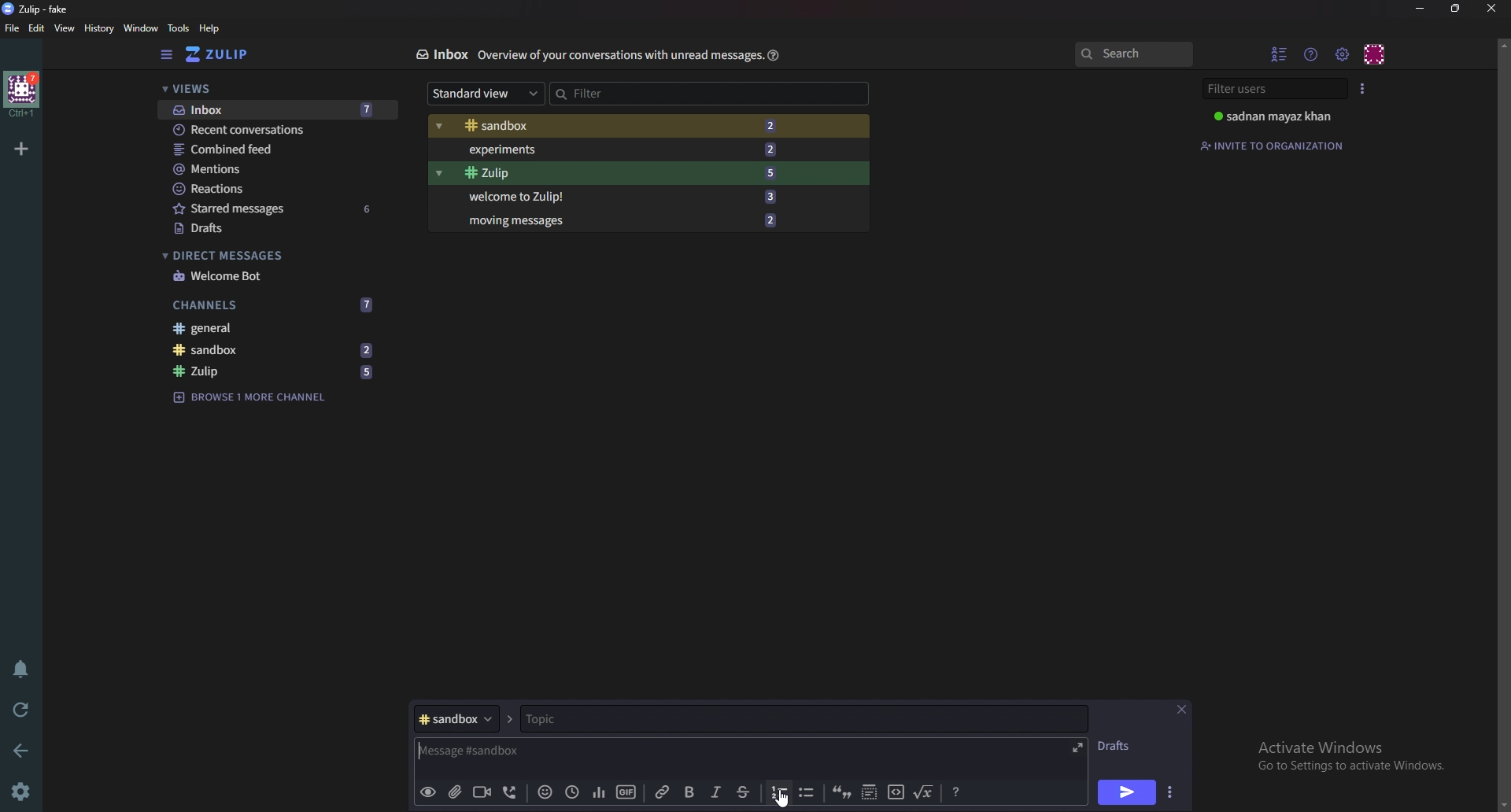 The height and width of the screenshot is (812, 1511). Describe the element at coordinates (1120, 746) in the screenshot. I see `Drafts` at that location.